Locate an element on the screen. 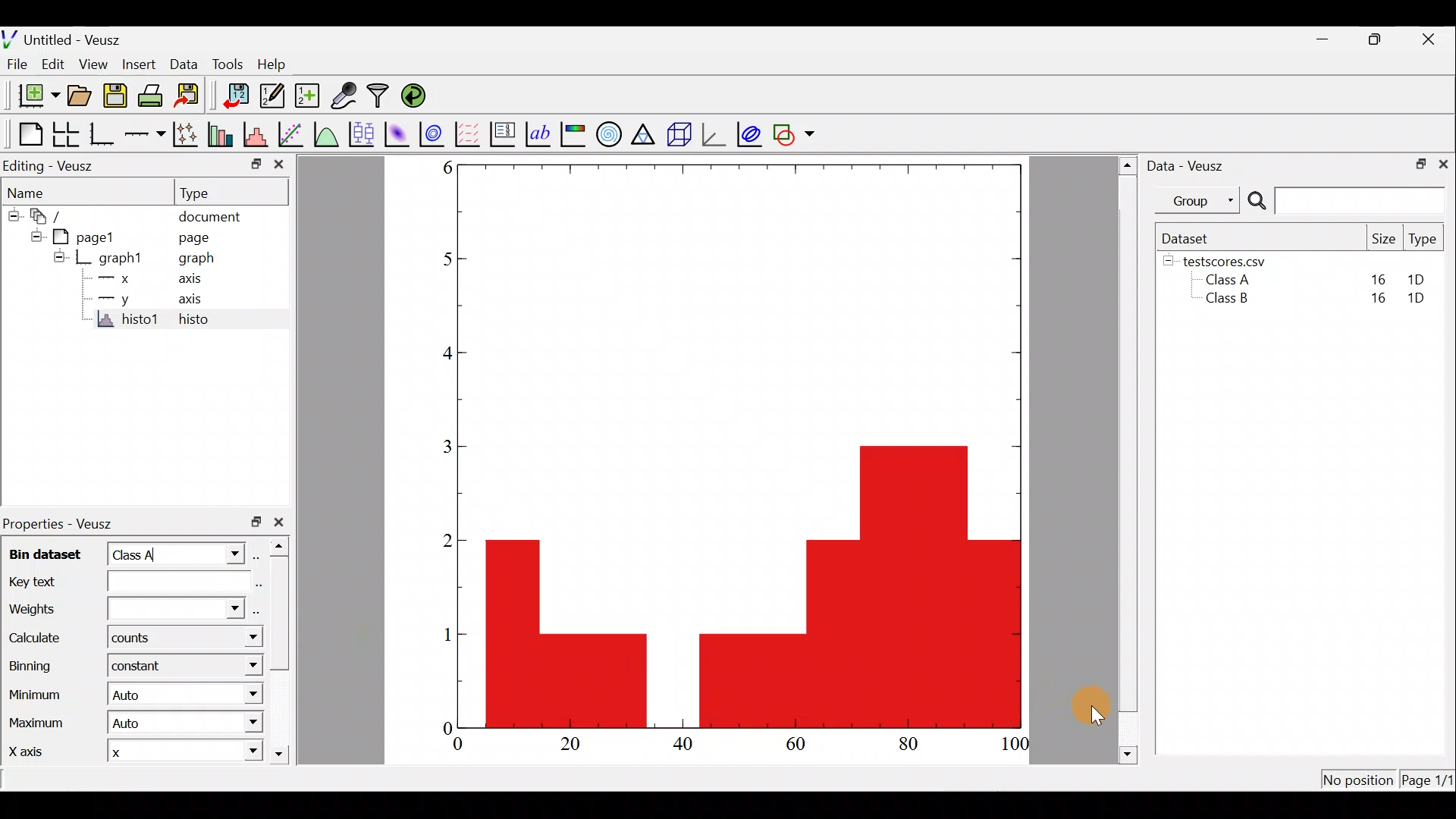 The width and height of the screenshot is (1456, 819). constant is located at coordinates (142, 667).